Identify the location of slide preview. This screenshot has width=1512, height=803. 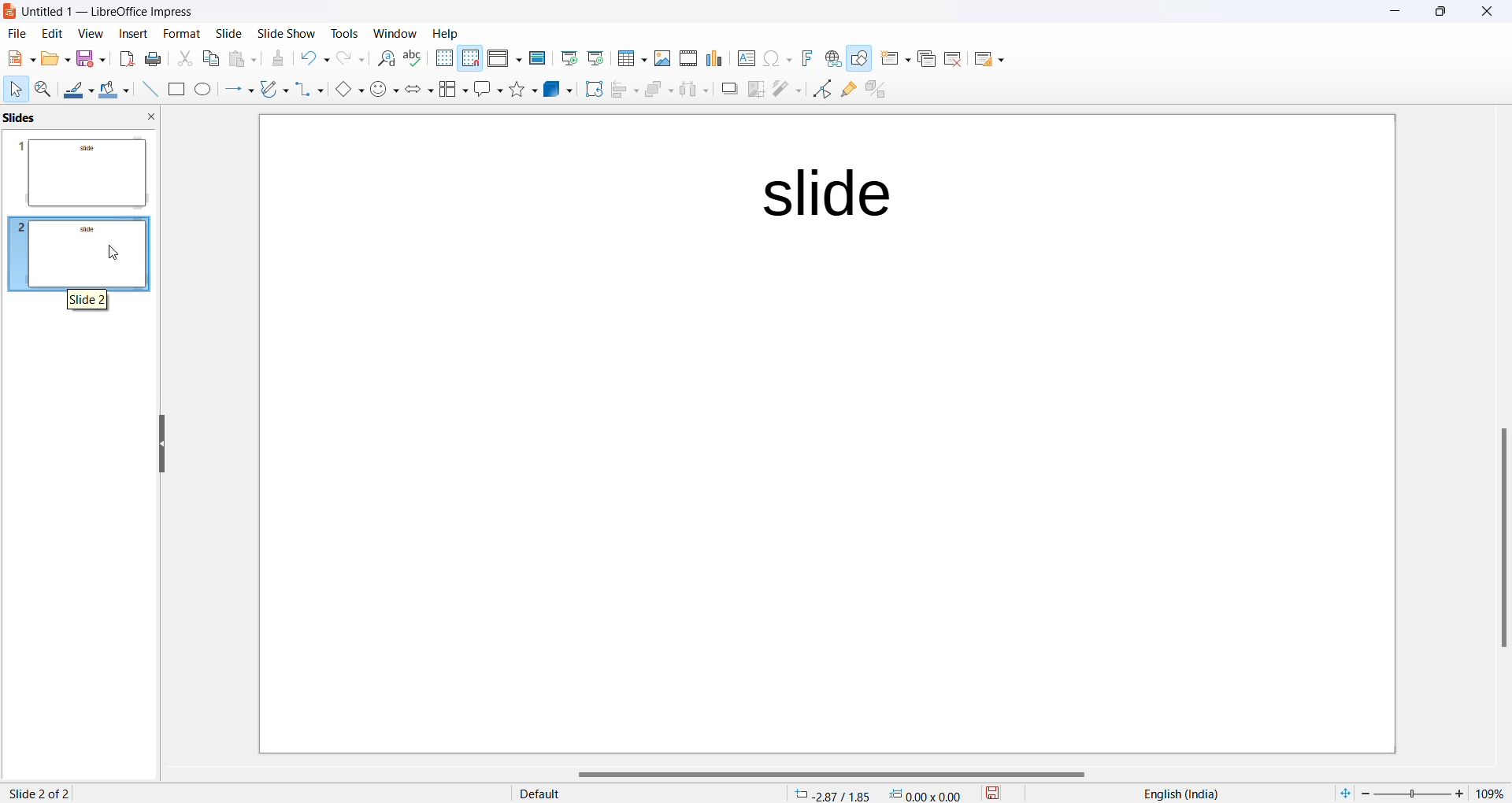
(83, 170).